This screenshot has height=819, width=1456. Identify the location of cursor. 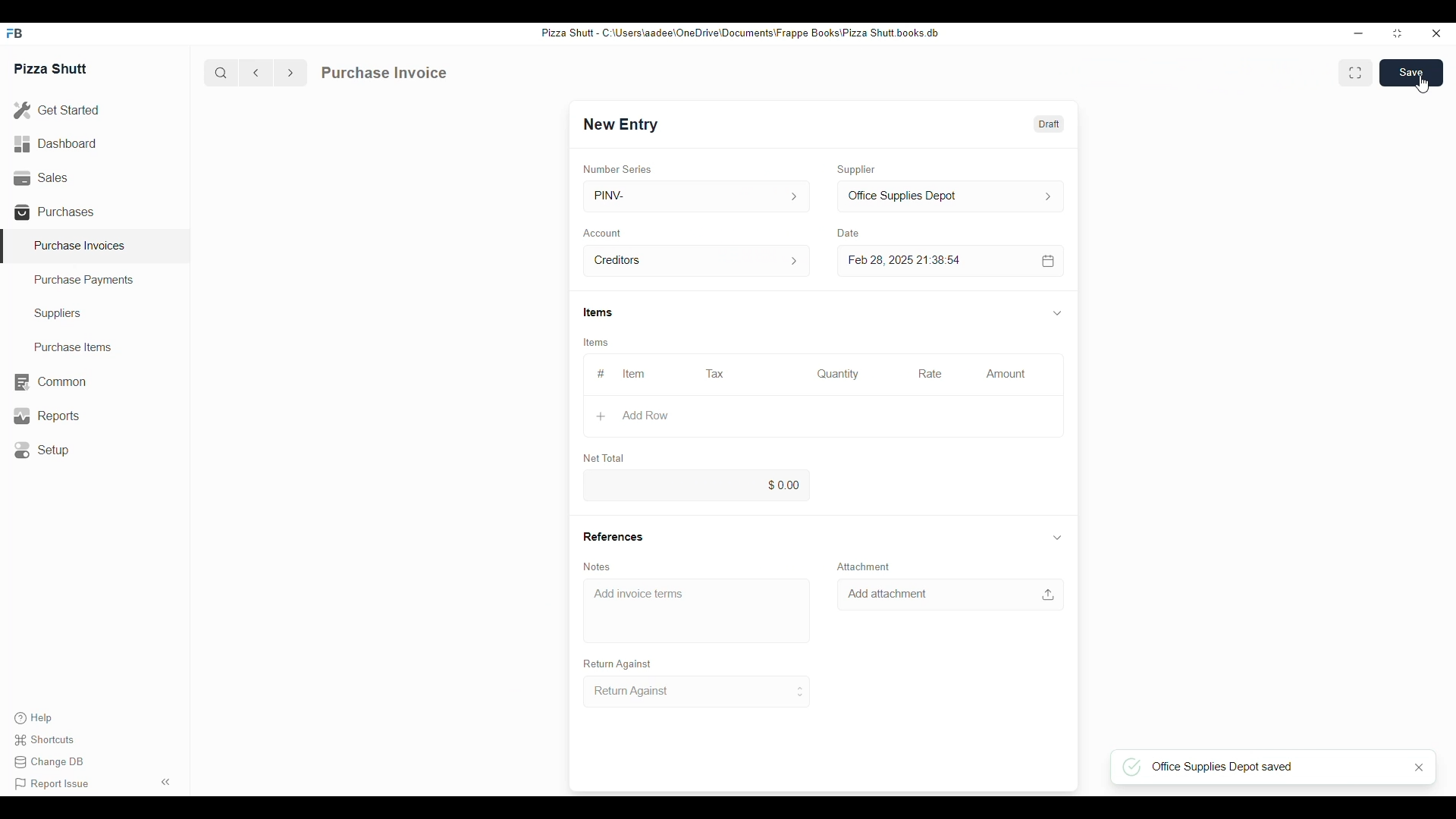
(1422, 83).